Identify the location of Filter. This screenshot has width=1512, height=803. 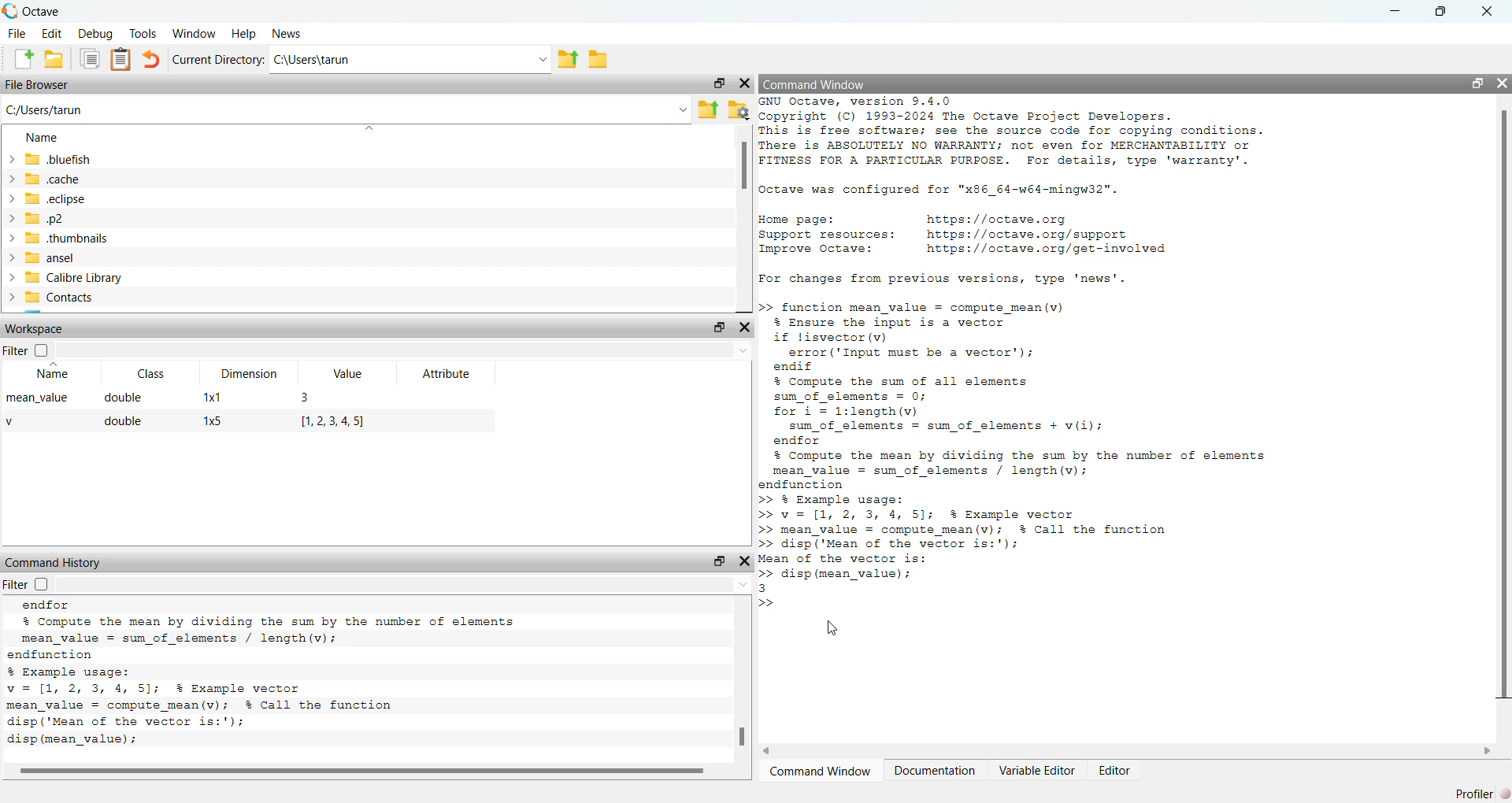
(27, 350).